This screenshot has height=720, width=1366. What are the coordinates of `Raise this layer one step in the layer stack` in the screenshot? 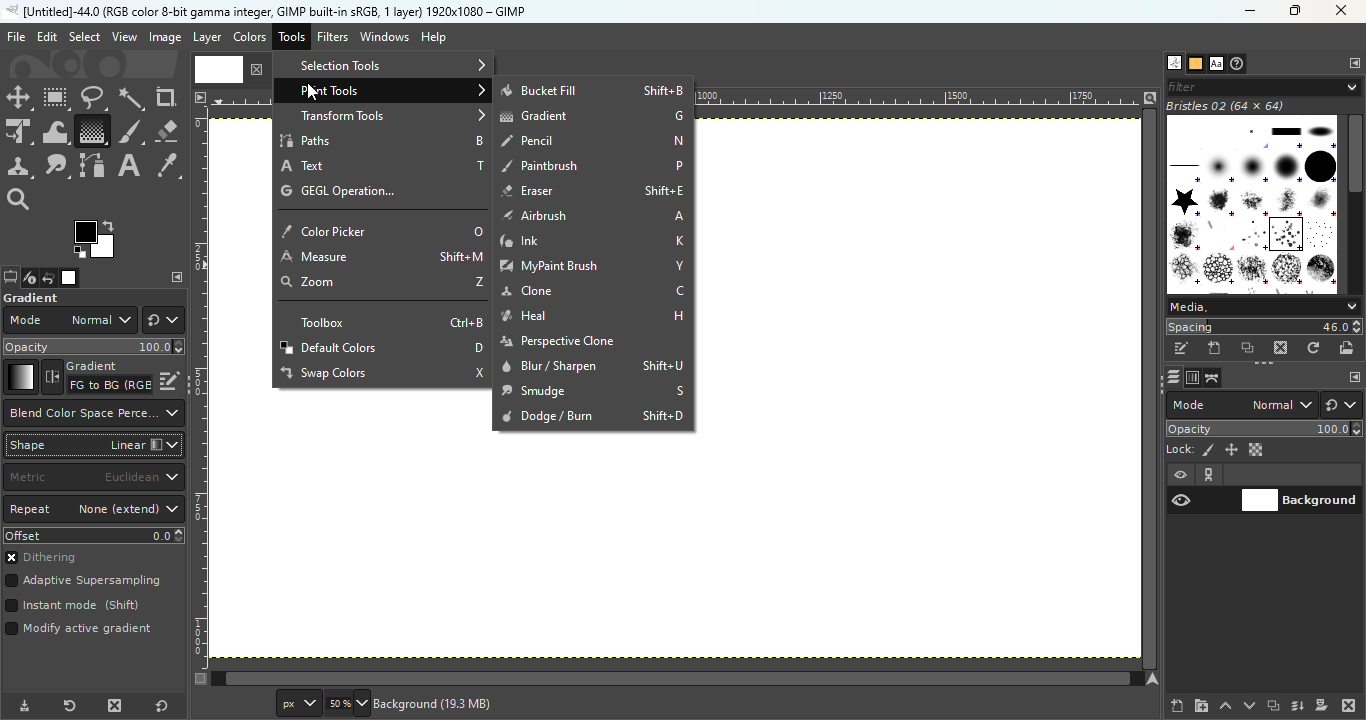 It's located at (1226, 706).